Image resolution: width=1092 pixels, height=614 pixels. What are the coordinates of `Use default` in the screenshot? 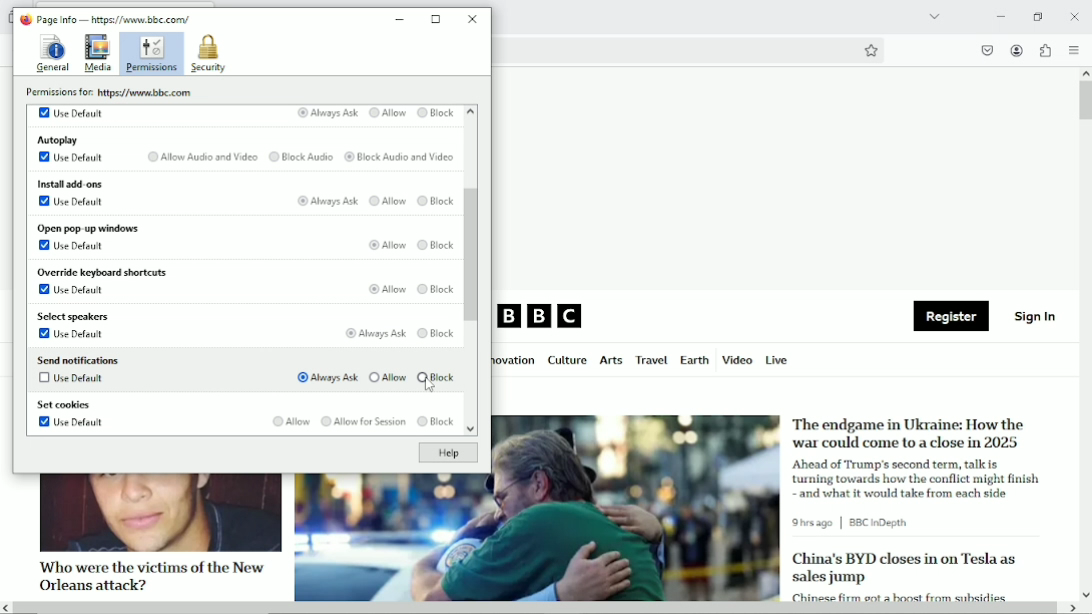 It's located at (73, 335).